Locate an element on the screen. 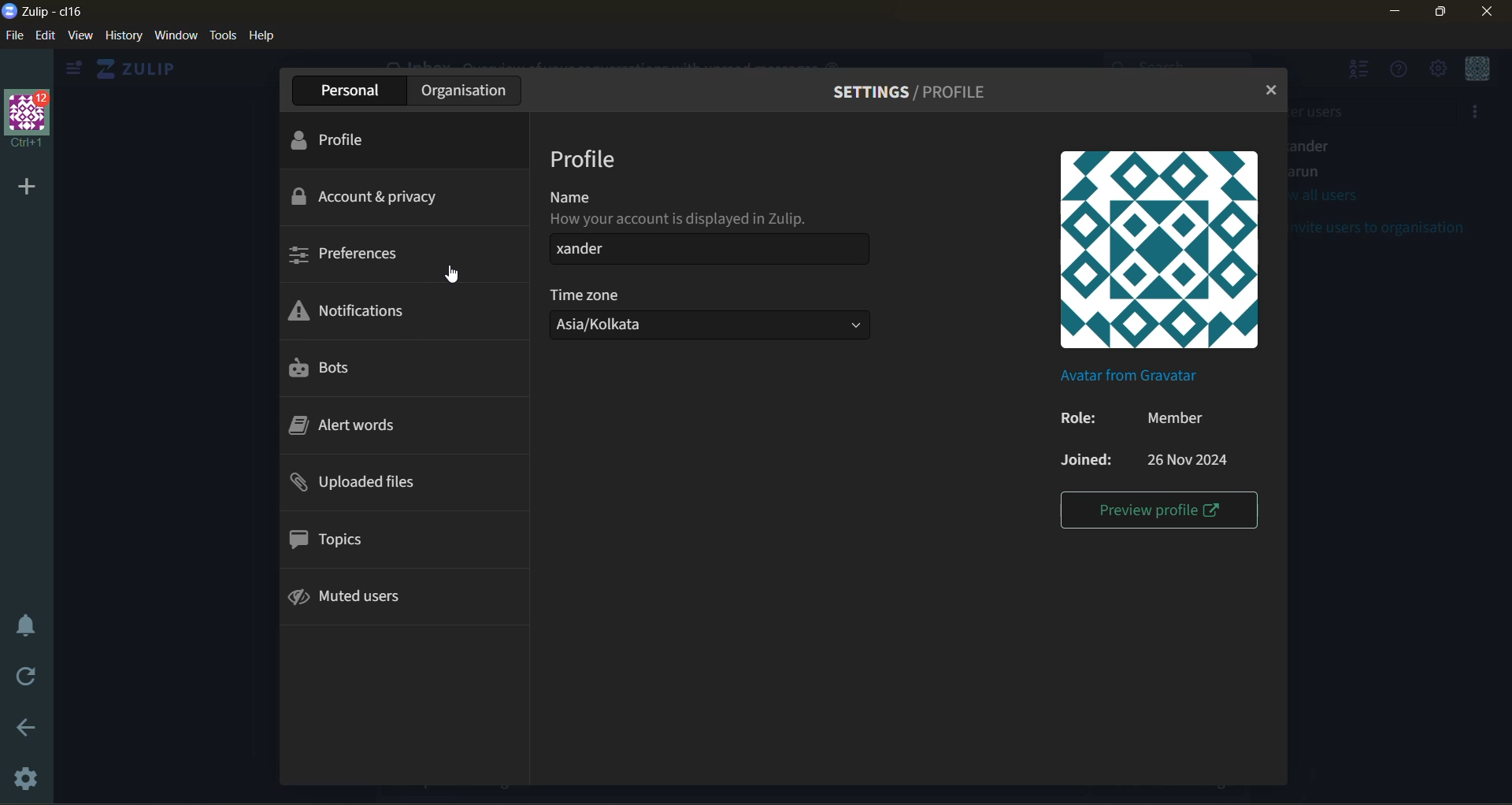 This screenshot has height=805, width=1512. close is located at coordinates (1494, 13).